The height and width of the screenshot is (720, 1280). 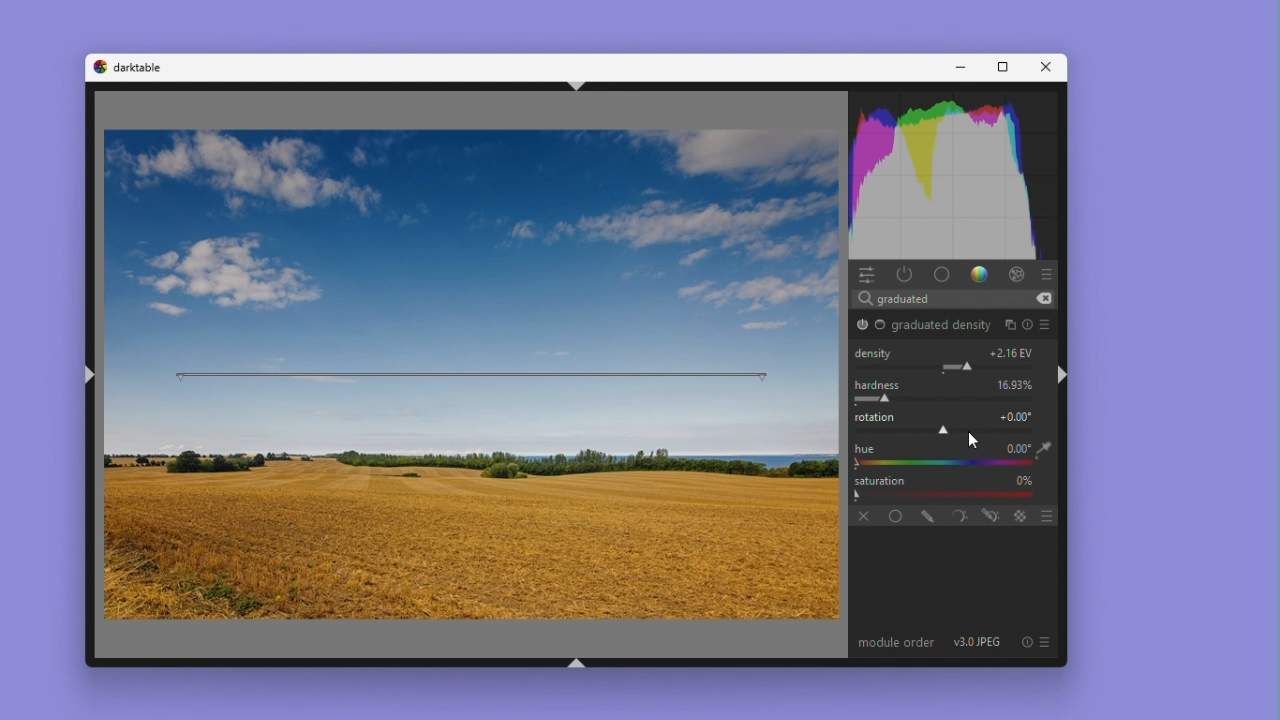 What do you see at coordinates (1016, 273) in the screenshot?
I see `effect` at bounding box center [1016, 273].